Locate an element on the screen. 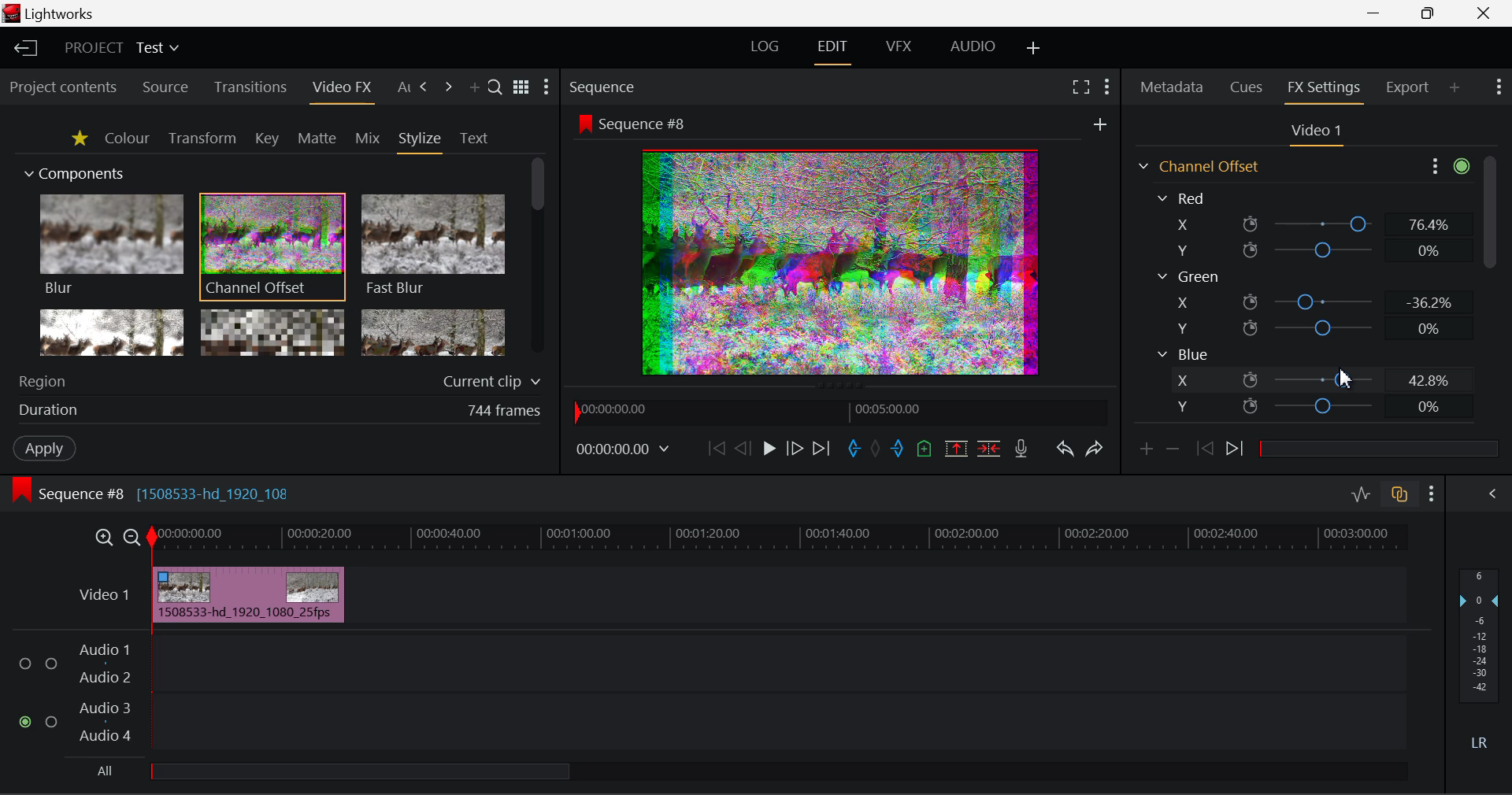  VFX Layout is located at coordinates (899, 50).